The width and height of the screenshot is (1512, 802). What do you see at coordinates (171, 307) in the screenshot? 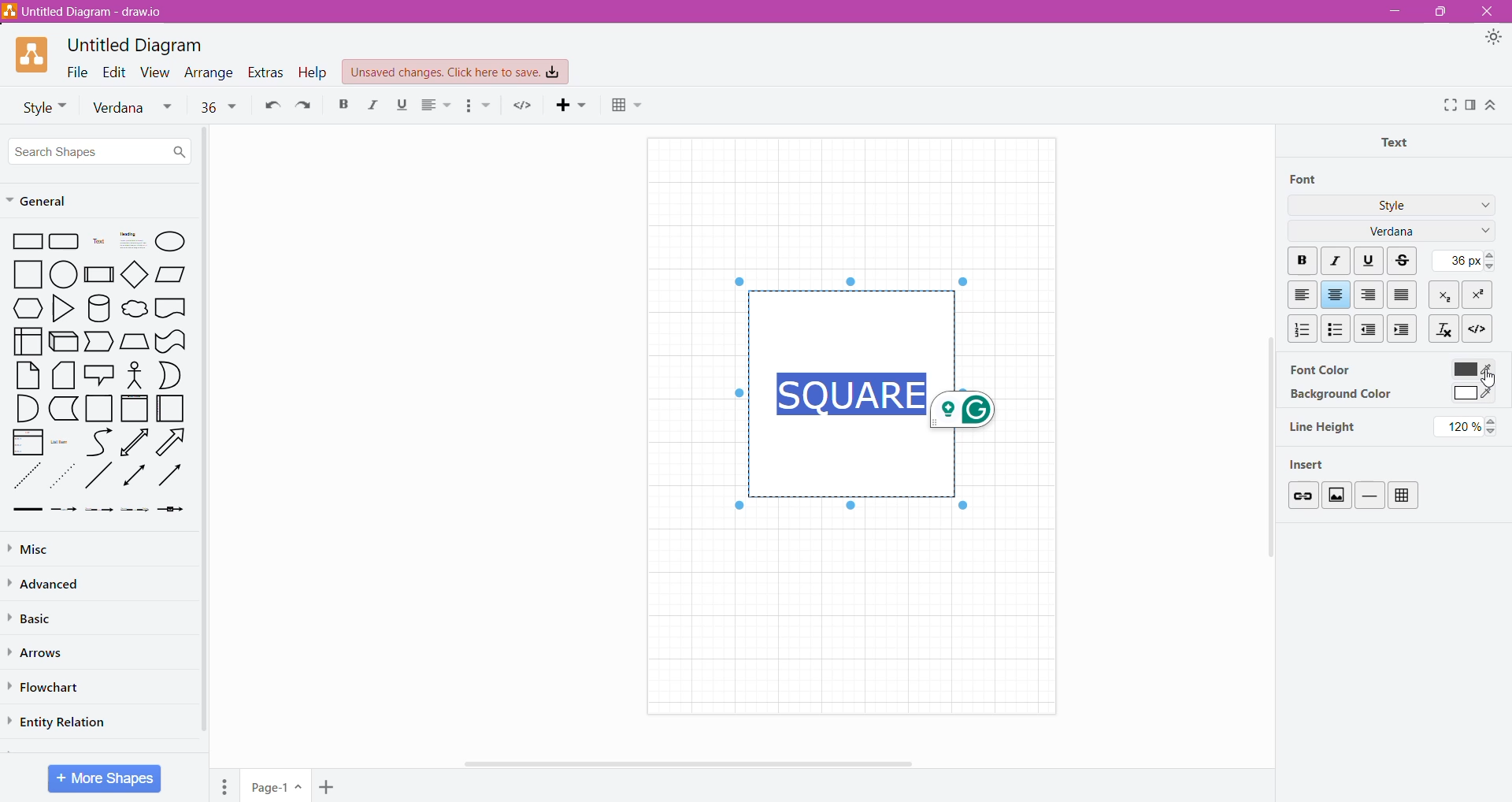
I see `document` at bounding box center [171, 307].